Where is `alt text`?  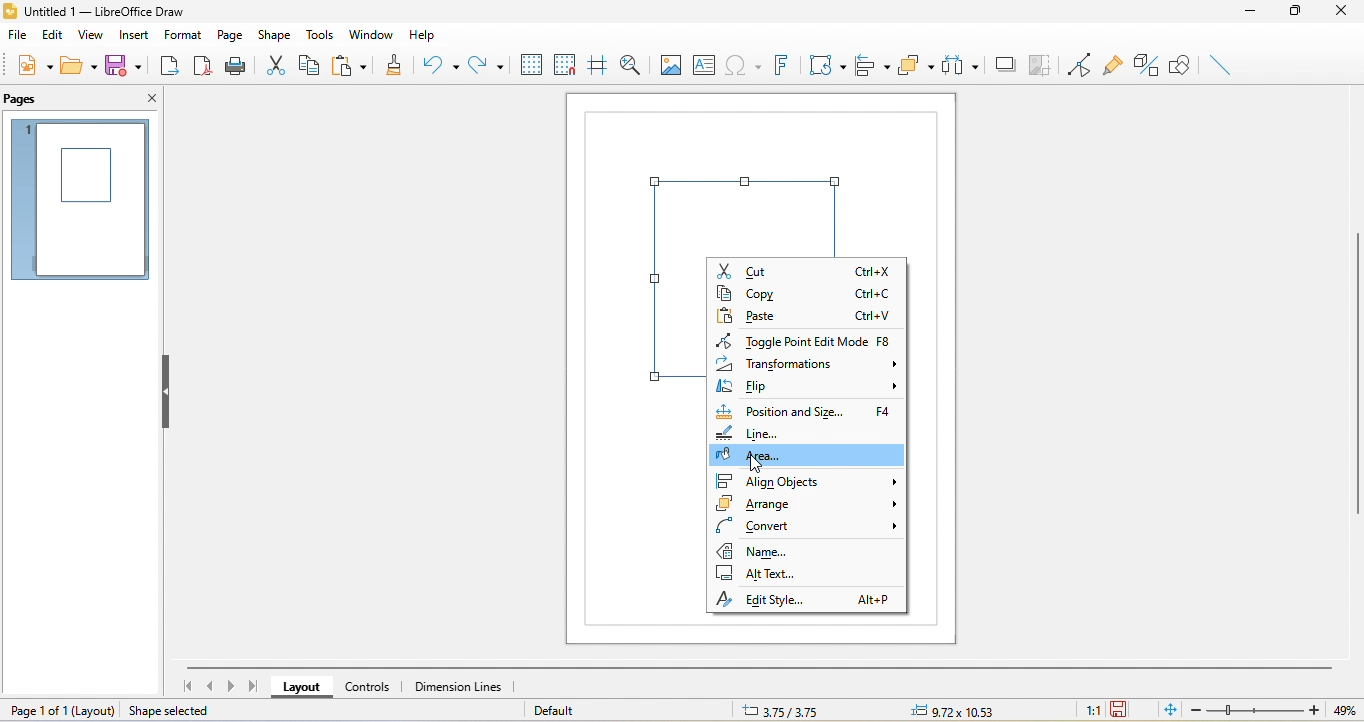 alt text is located at coordinates (760, 574).